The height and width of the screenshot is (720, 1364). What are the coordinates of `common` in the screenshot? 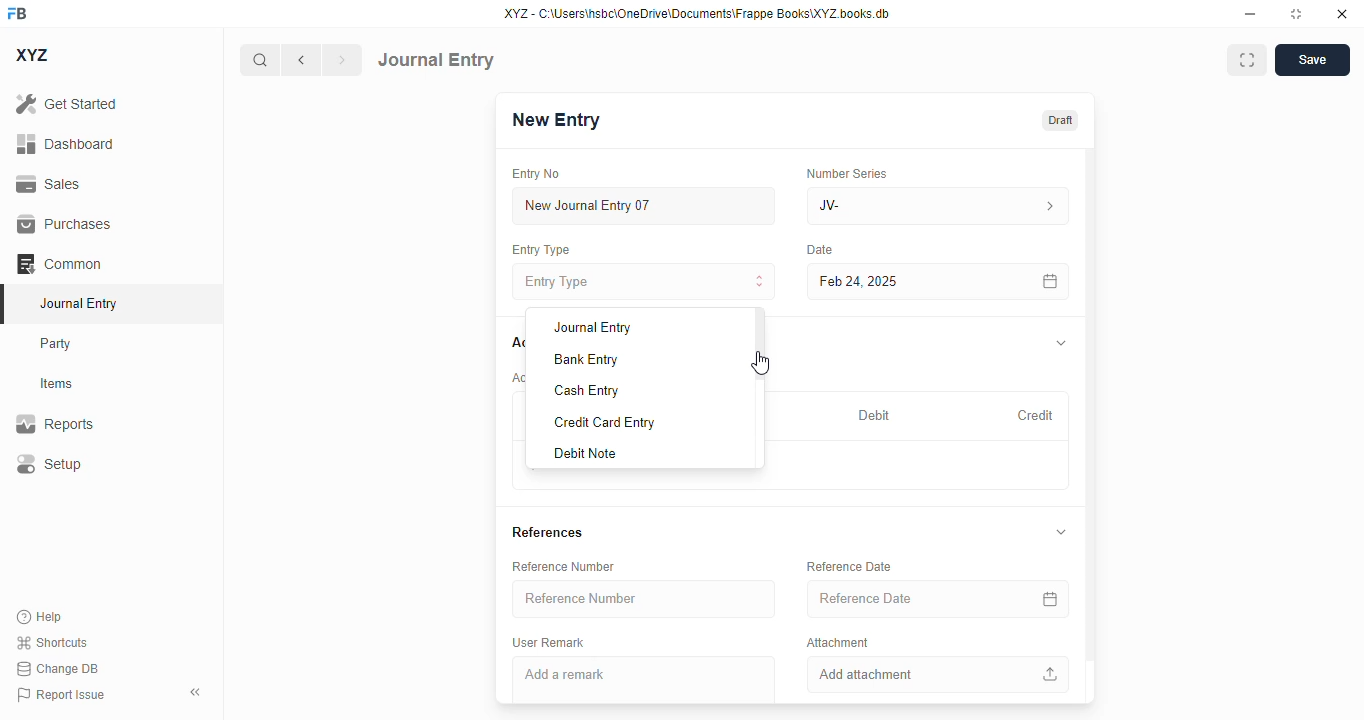 It's located at (59, 263).